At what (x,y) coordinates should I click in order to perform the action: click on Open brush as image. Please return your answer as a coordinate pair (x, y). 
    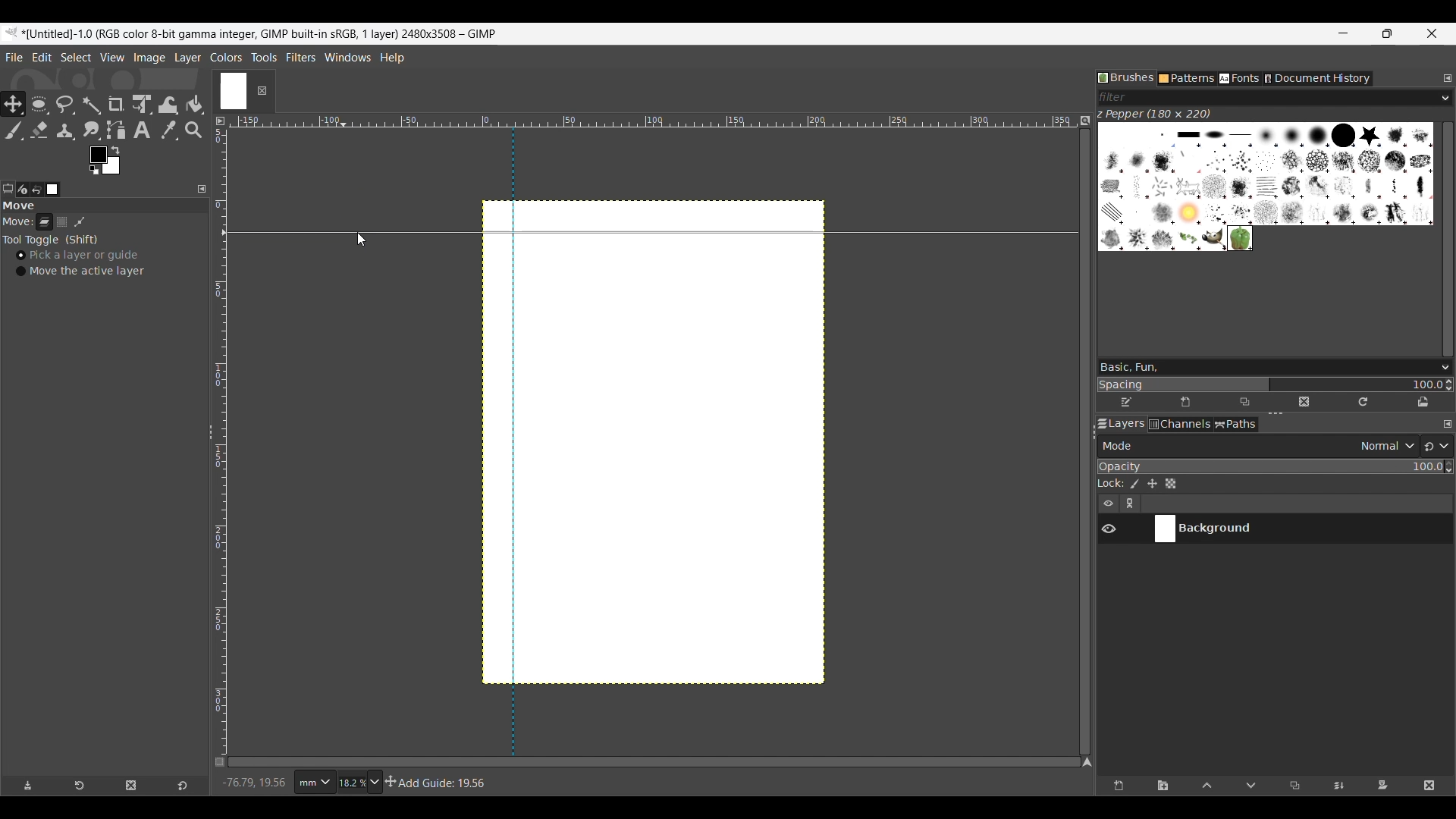
    Looking at the image, I should click on (1423, 403).